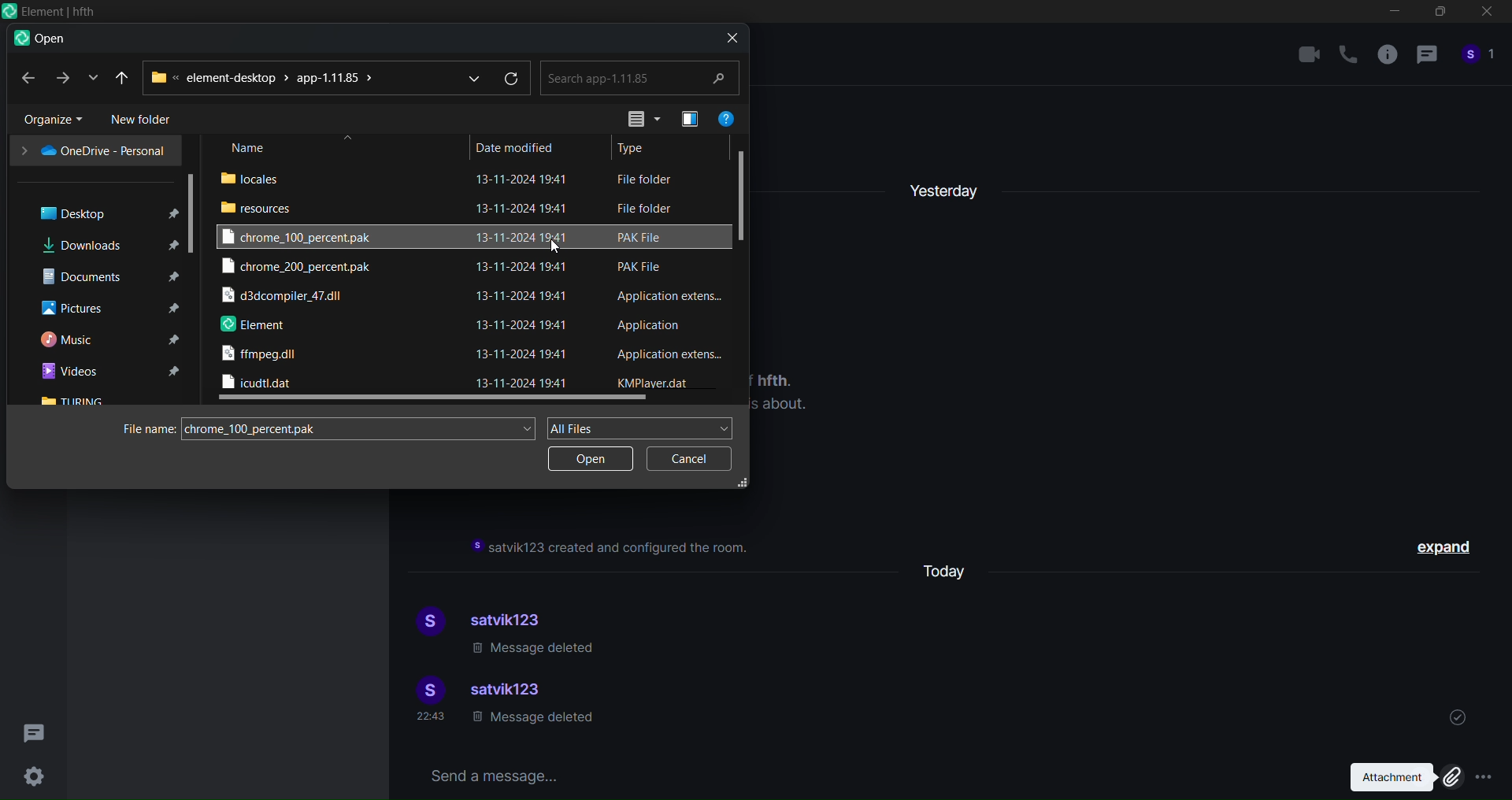  Describe the element at coordinates (36, 728) in the screenshot. I see `threads` at that location.